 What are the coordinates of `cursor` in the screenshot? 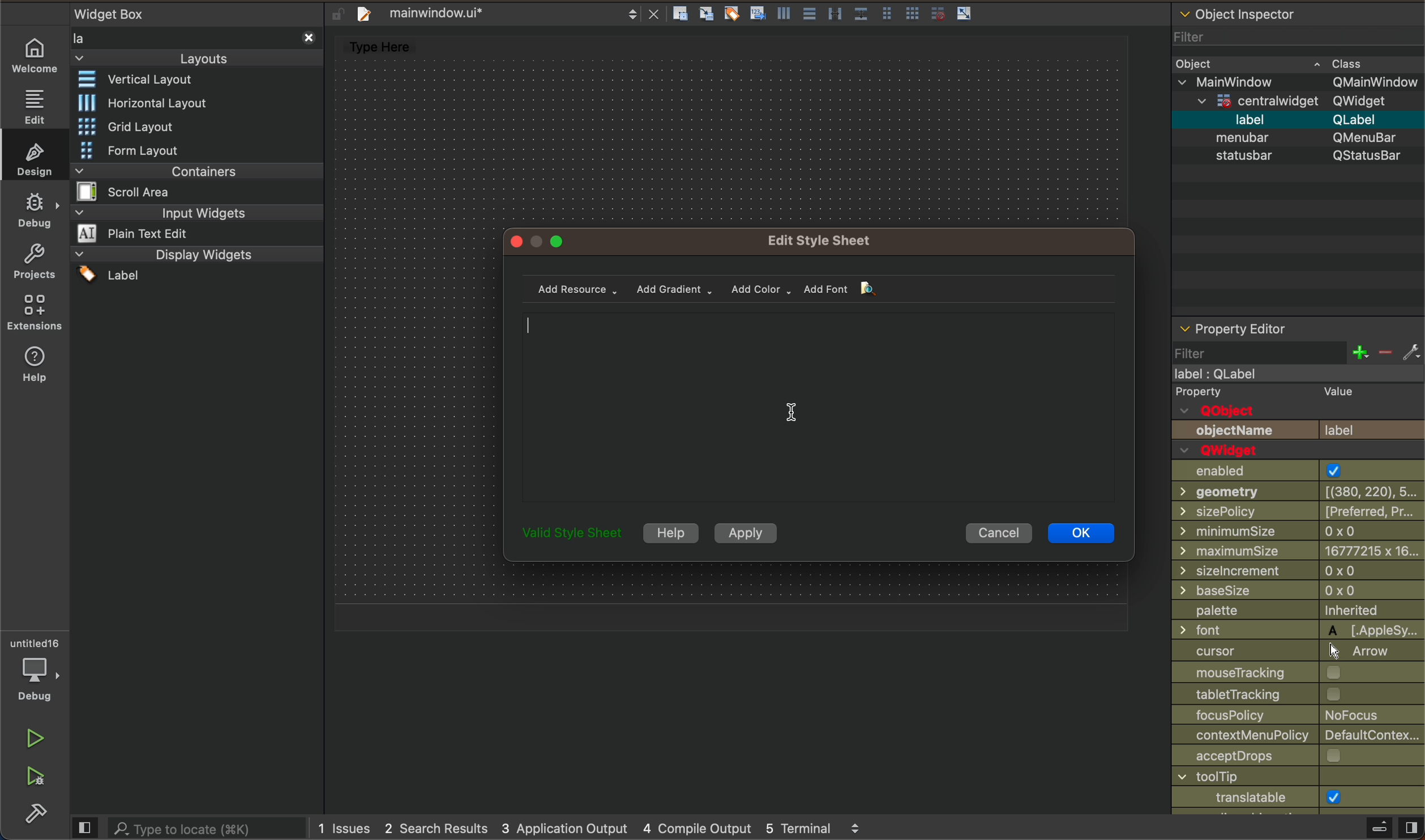 It's located at (1299, 652).